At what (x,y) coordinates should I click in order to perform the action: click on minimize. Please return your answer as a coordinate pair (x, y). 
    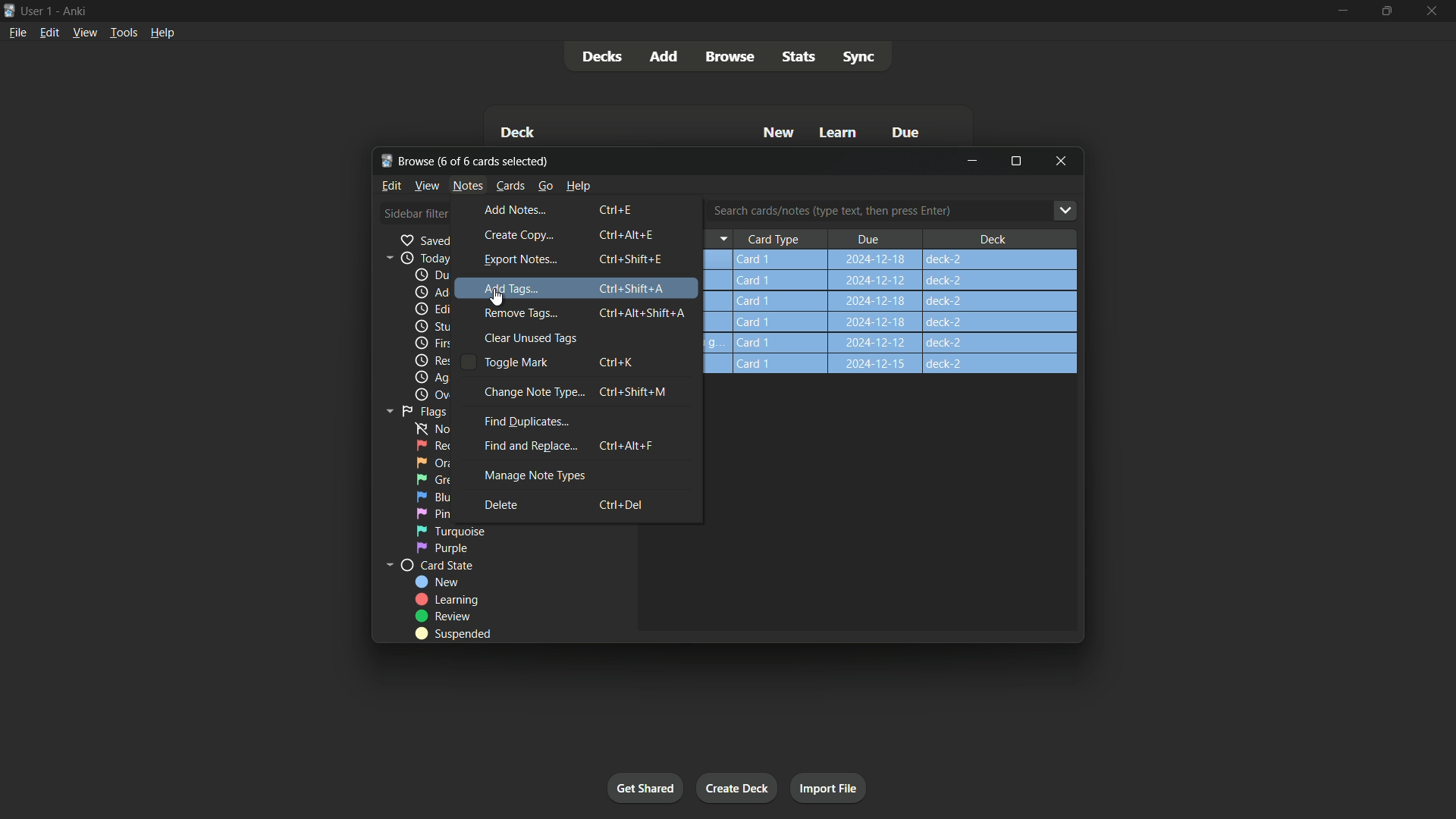
    Looking at the image, I should click on (1346, 10).